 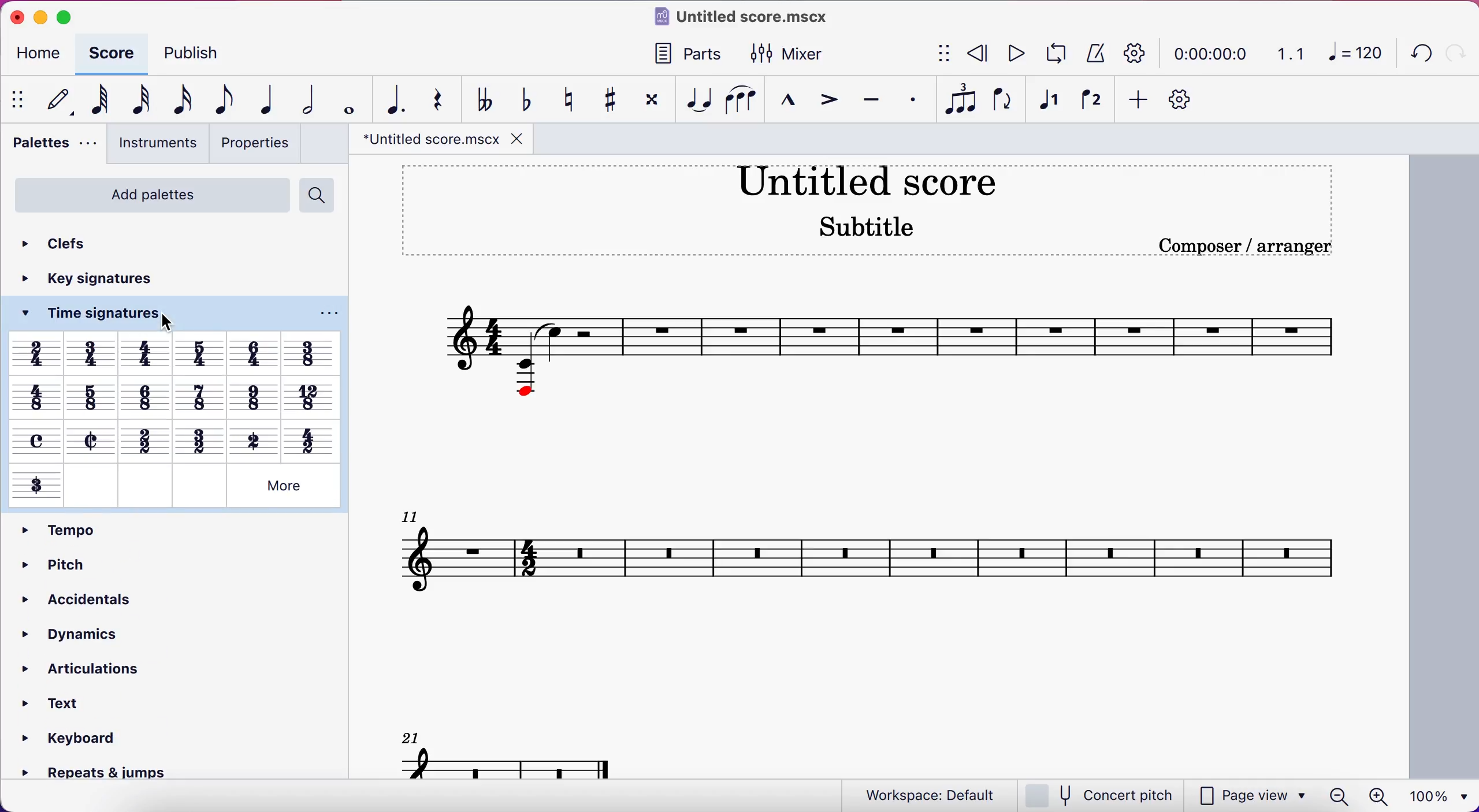 I want to click on zoom out, so click(x=1339, y=796).